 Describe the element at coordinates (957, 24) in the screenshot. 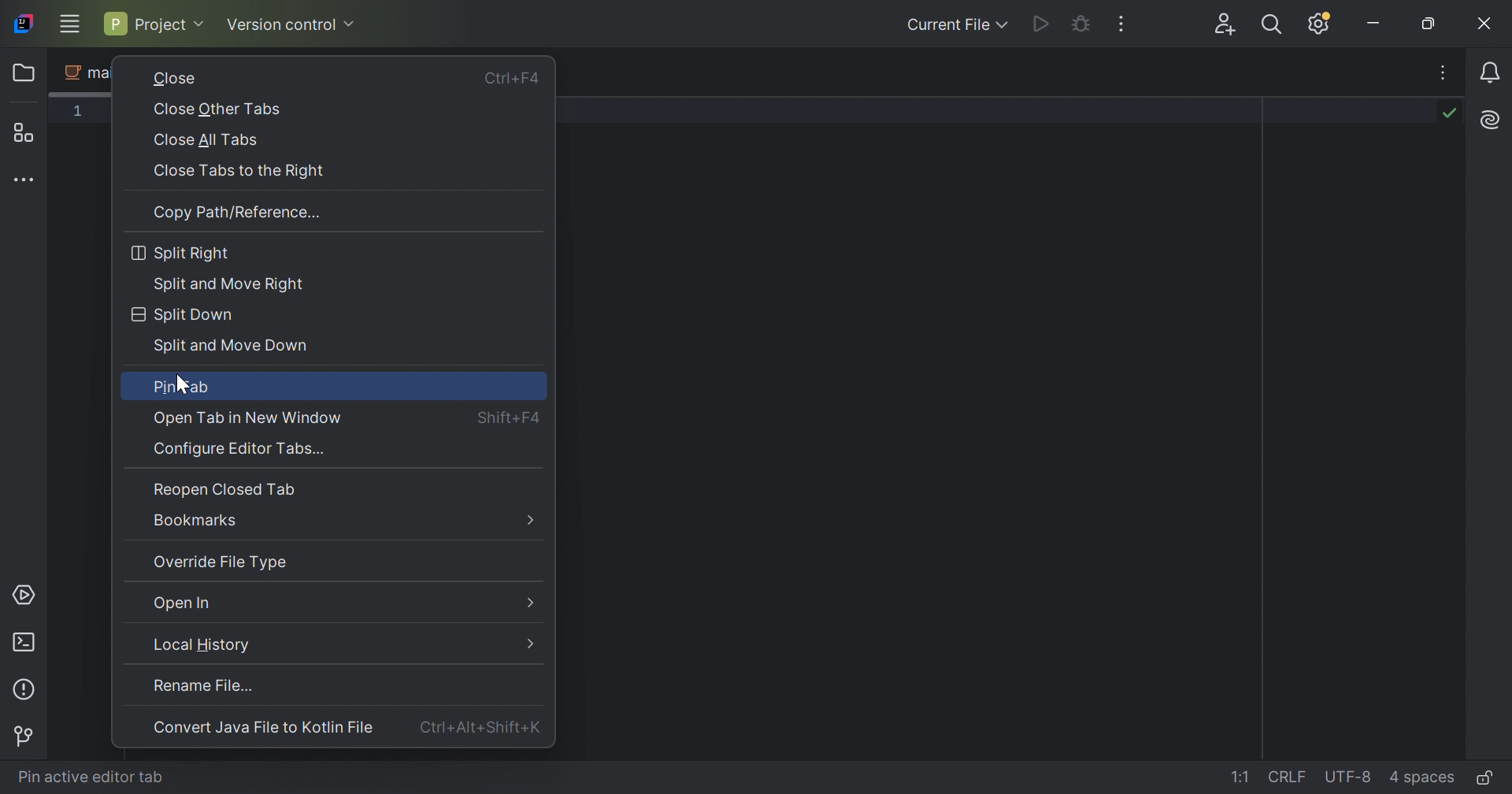

I see `Current file` at that location.